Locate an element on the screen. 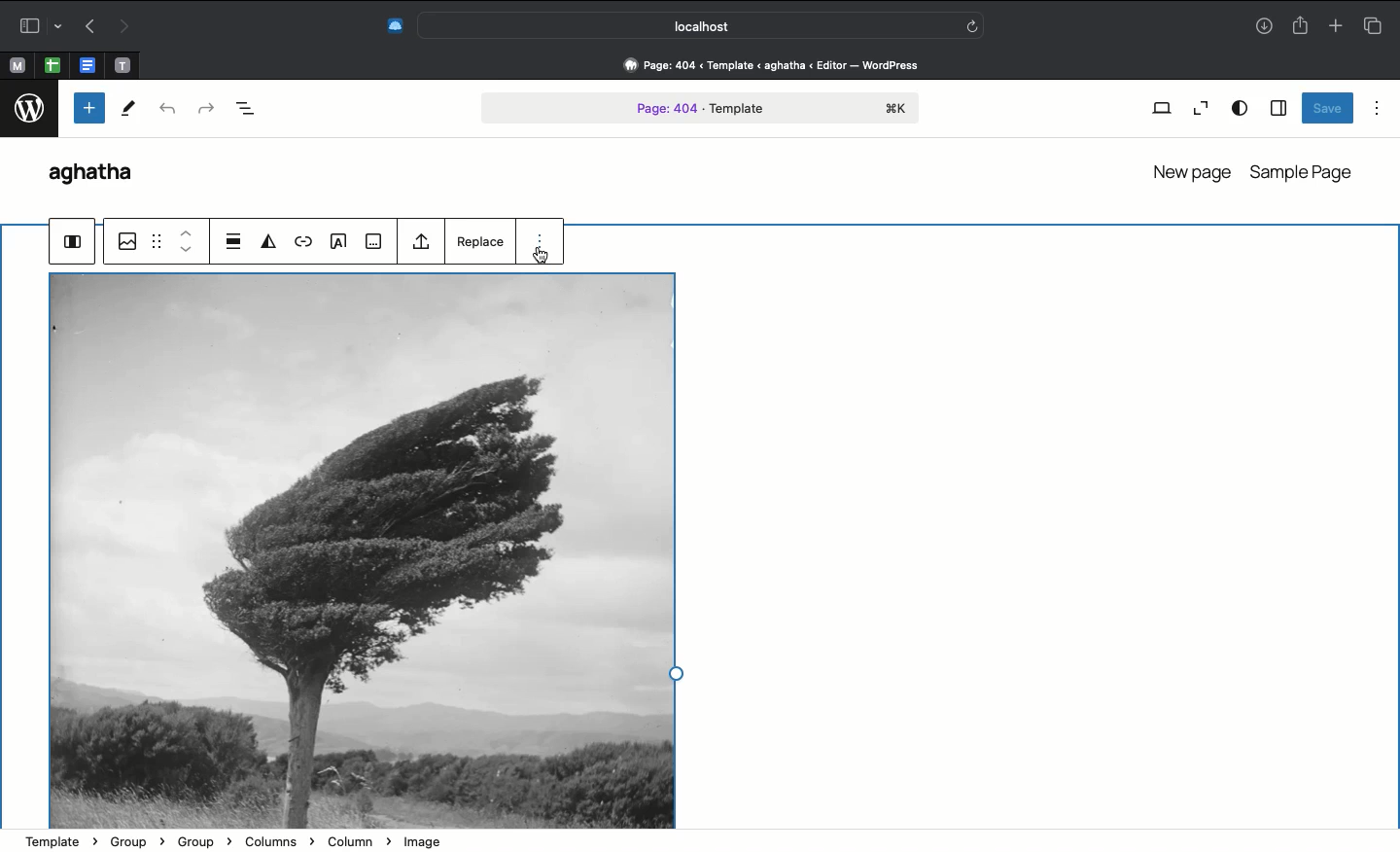  open tab, google docs is located at coordinates (86, 66).